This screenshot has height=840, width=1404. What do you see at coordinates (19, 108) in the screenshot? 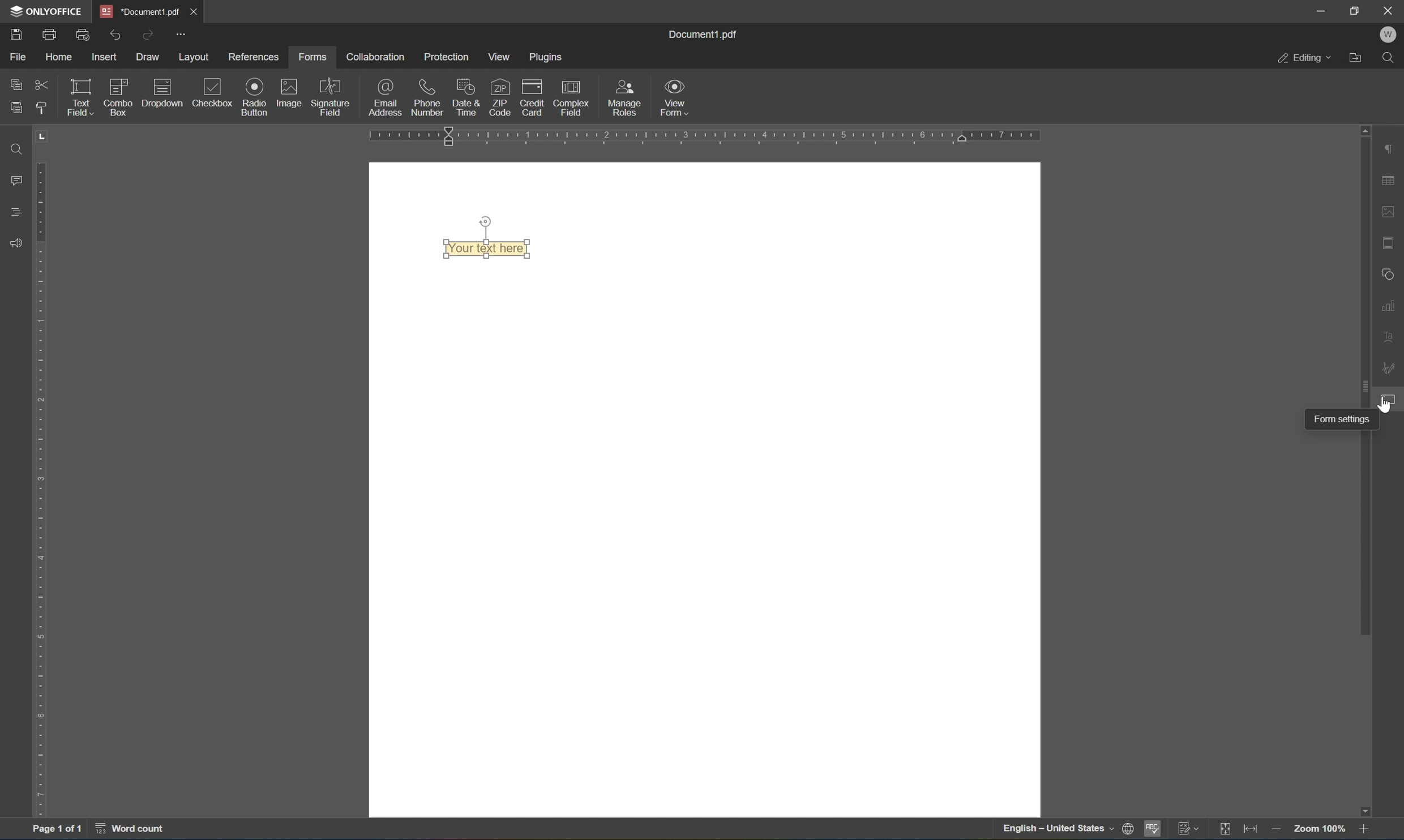
I see `paste` at bounding box center [19, 108].